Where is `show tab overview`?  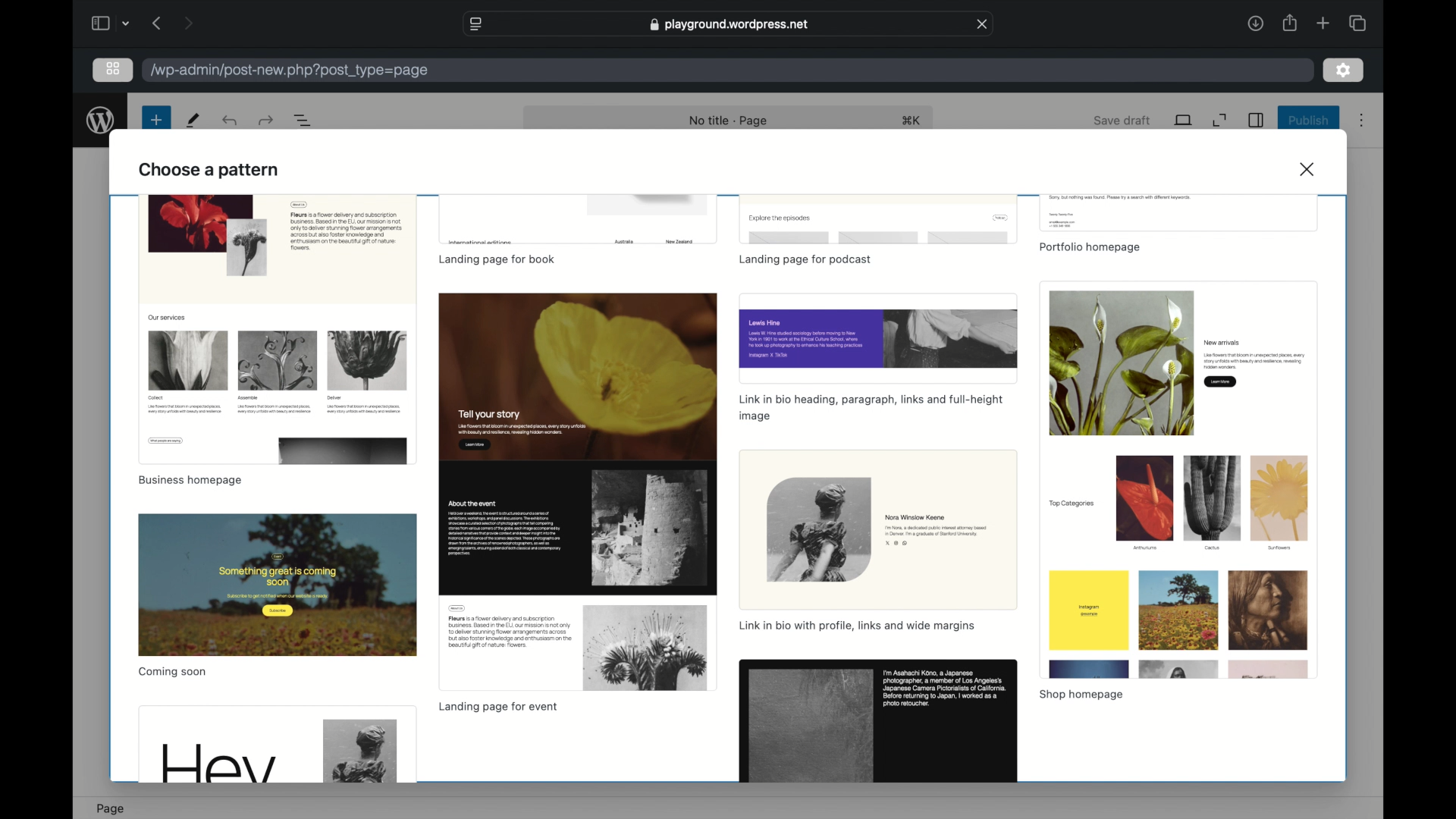 show tab overview is located at coordinates (1357, 23).